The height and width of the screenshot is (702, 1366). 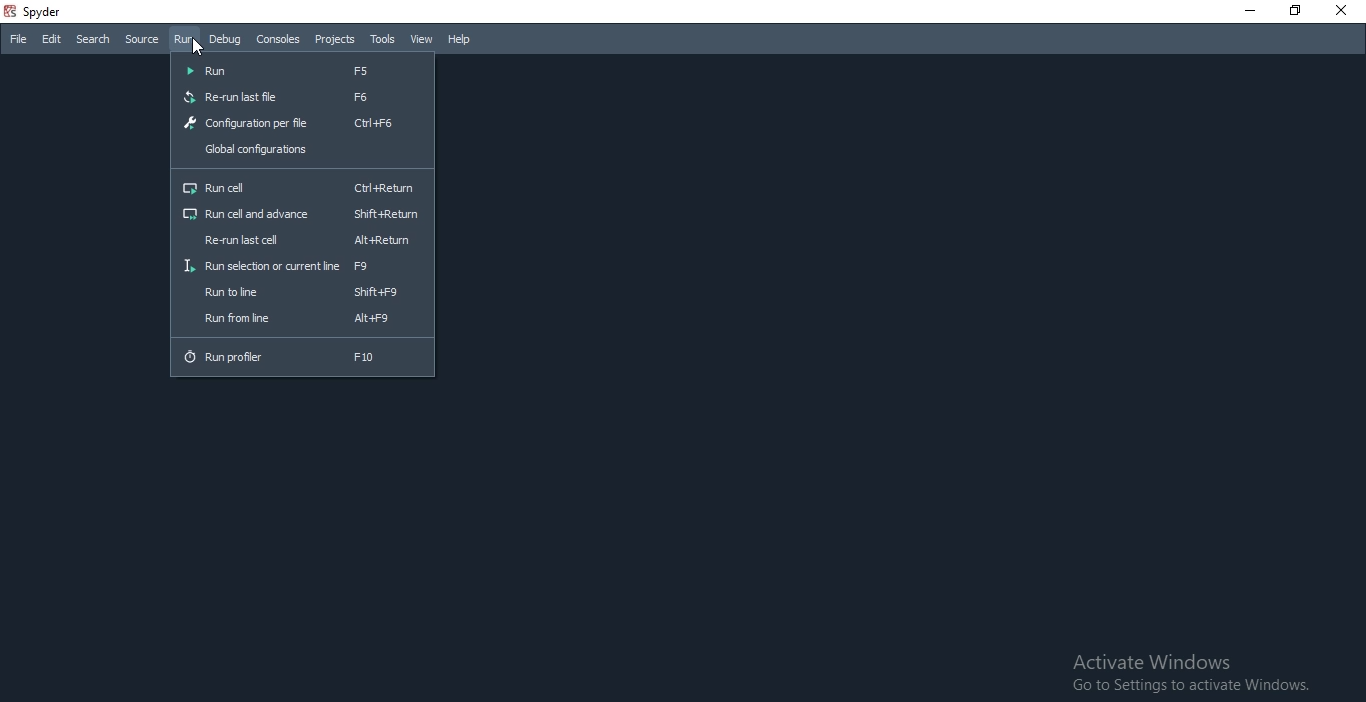 What do you see at coordinates (422, 40) in the screenshot?
I see `View` at bounding box center [422, 40].